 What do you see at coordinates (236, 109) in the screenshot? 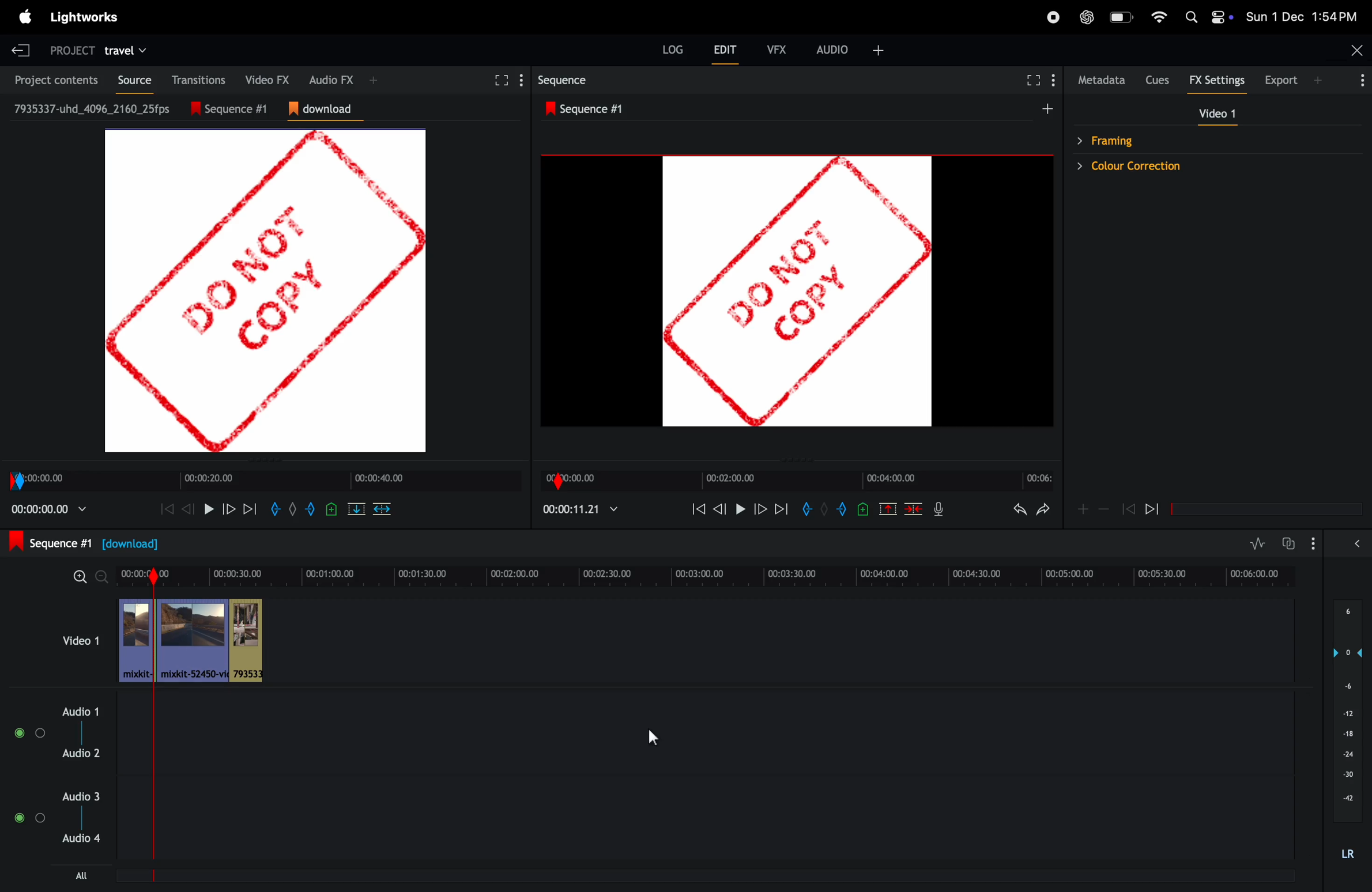
I see `sequence #1` at bounding box center [236, 109].